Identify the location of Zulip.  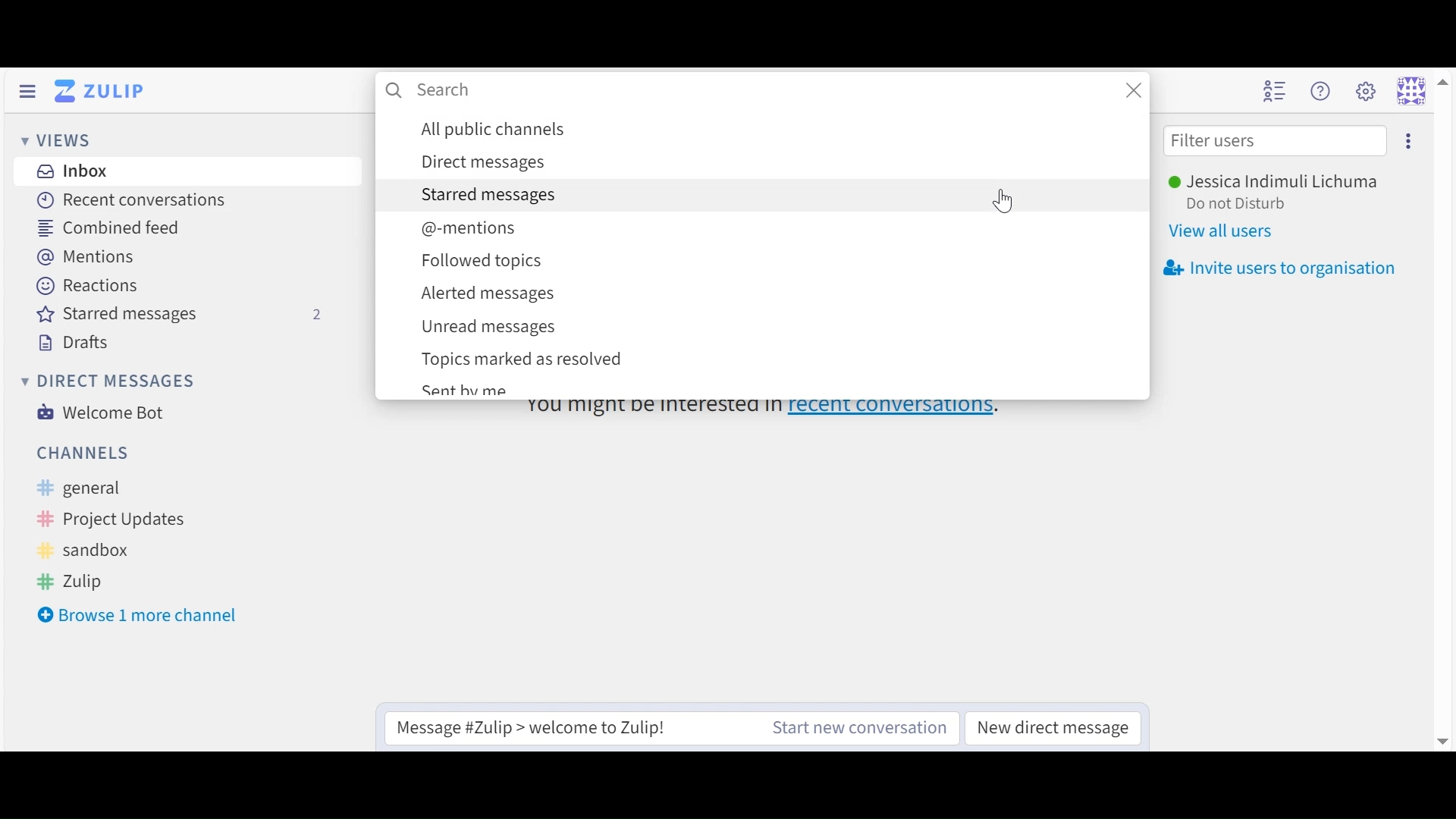
(92, 579).